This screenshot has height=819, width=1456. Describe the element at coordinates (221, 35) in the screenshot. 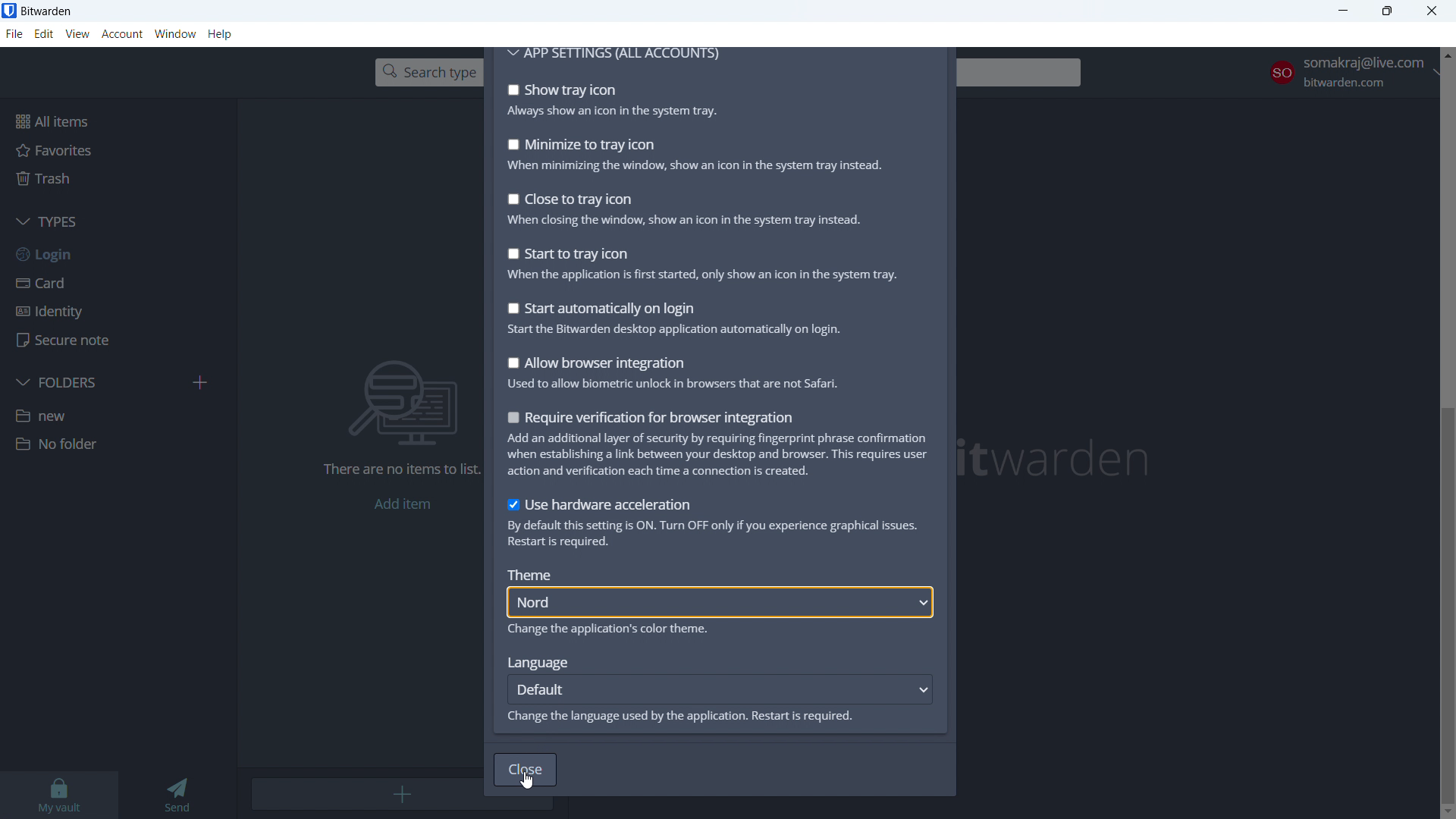

I see `help` at that location.